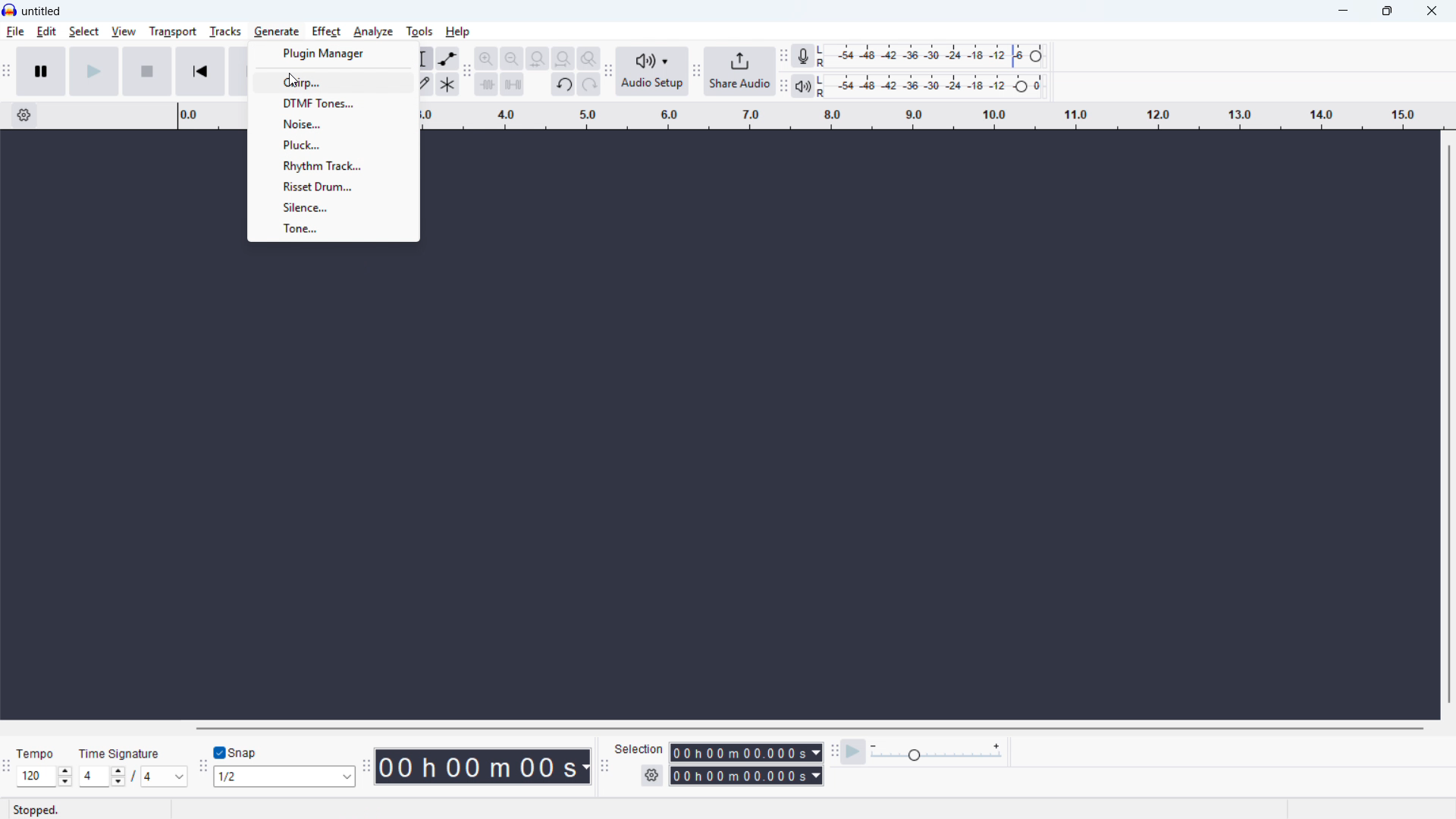 This screenshot has height=819, width=1456. What do you see at coordinates (483, 767) in the screenshot?
I see `Timestamp ` at bounding box center [483, 767].